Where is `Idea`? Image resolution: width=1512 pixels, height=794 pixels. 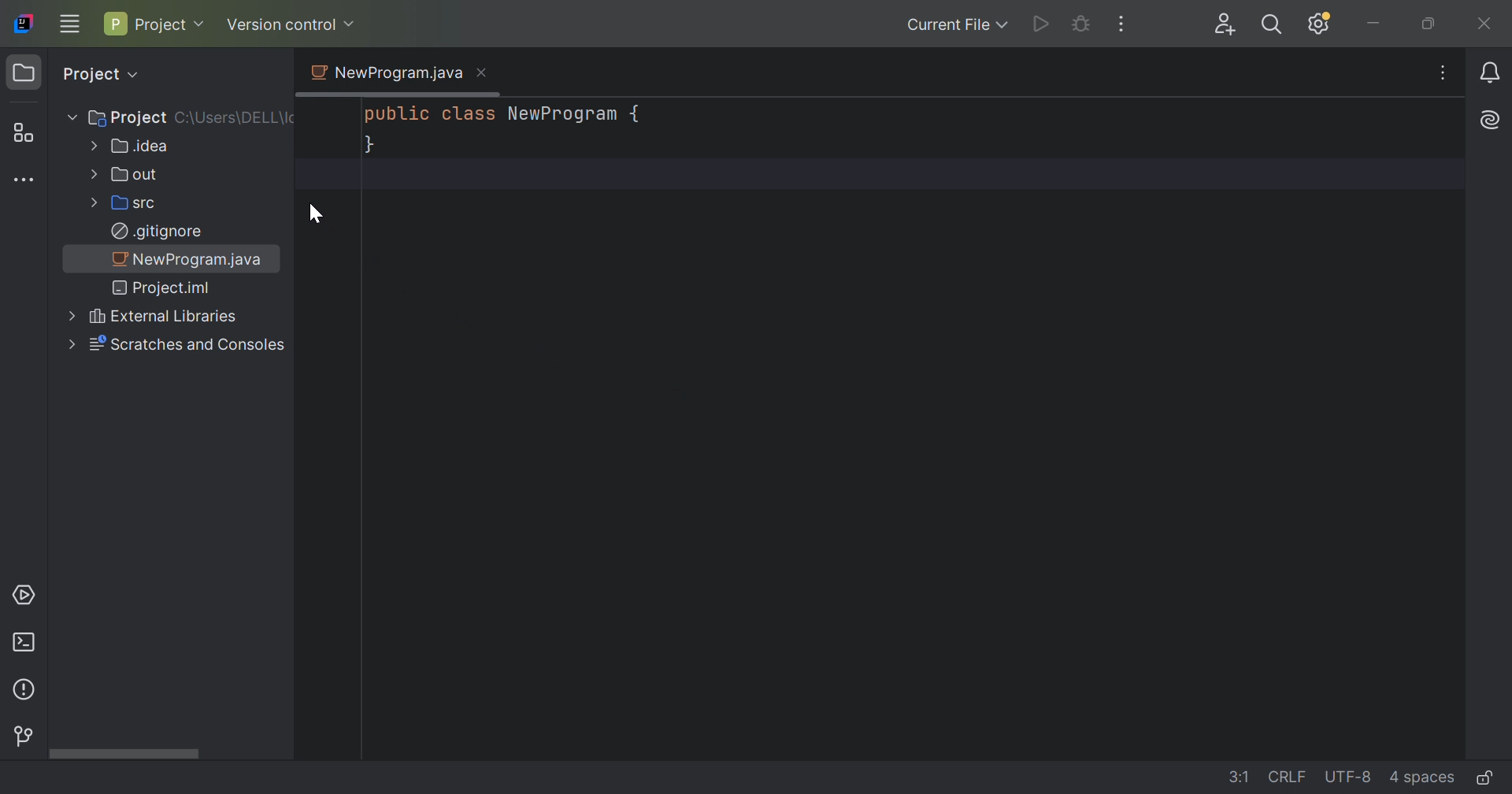 Idea is located at coordinates (140, 146).